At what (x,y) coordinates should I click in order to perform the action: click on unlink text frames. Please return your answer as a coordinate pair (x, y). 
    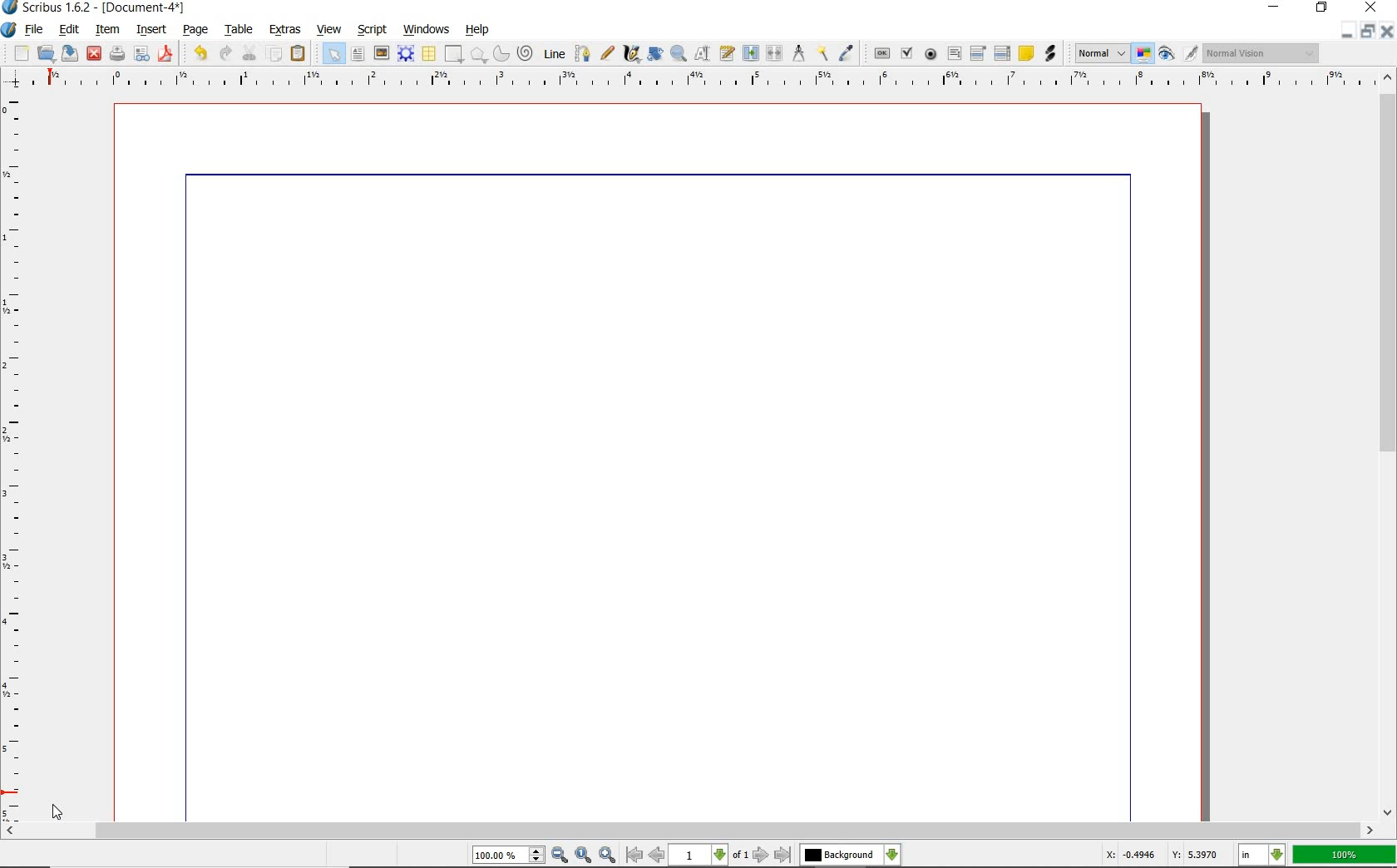
    Looking at the image, I should click on (775, 54).